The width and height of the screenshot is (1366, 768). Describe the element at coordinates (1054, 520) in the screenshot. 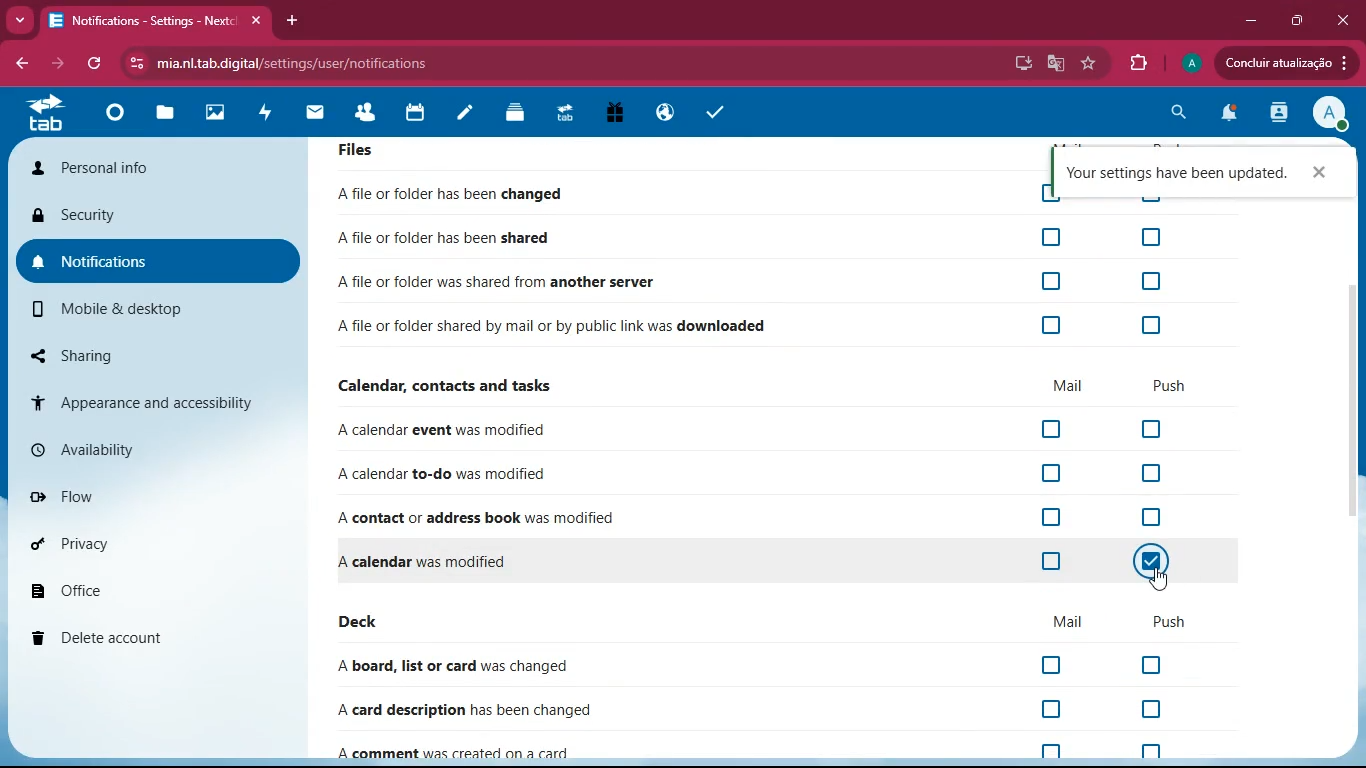

I see `off` at that location.